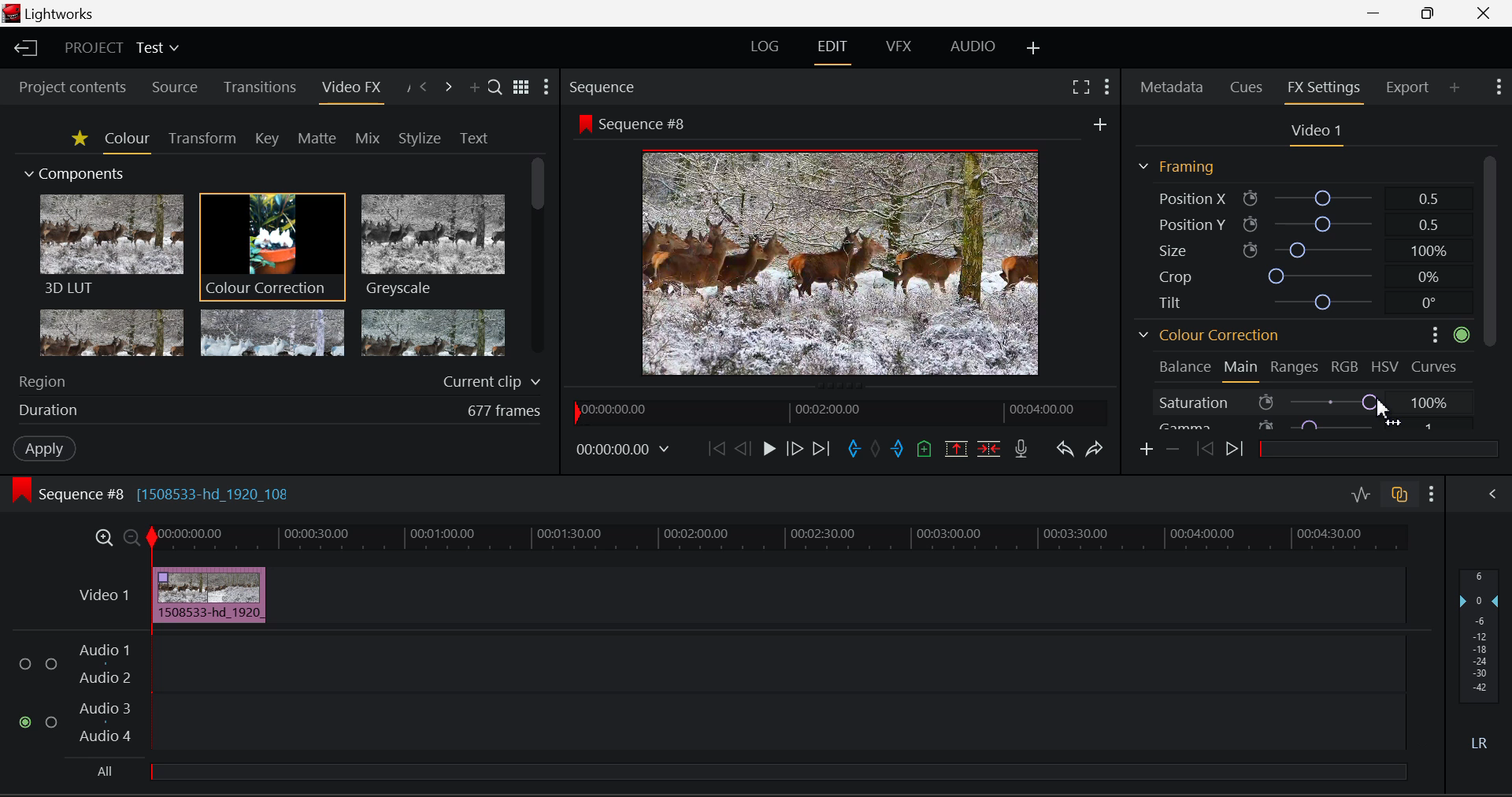  I want to click on Stylize, so click(421, 138).